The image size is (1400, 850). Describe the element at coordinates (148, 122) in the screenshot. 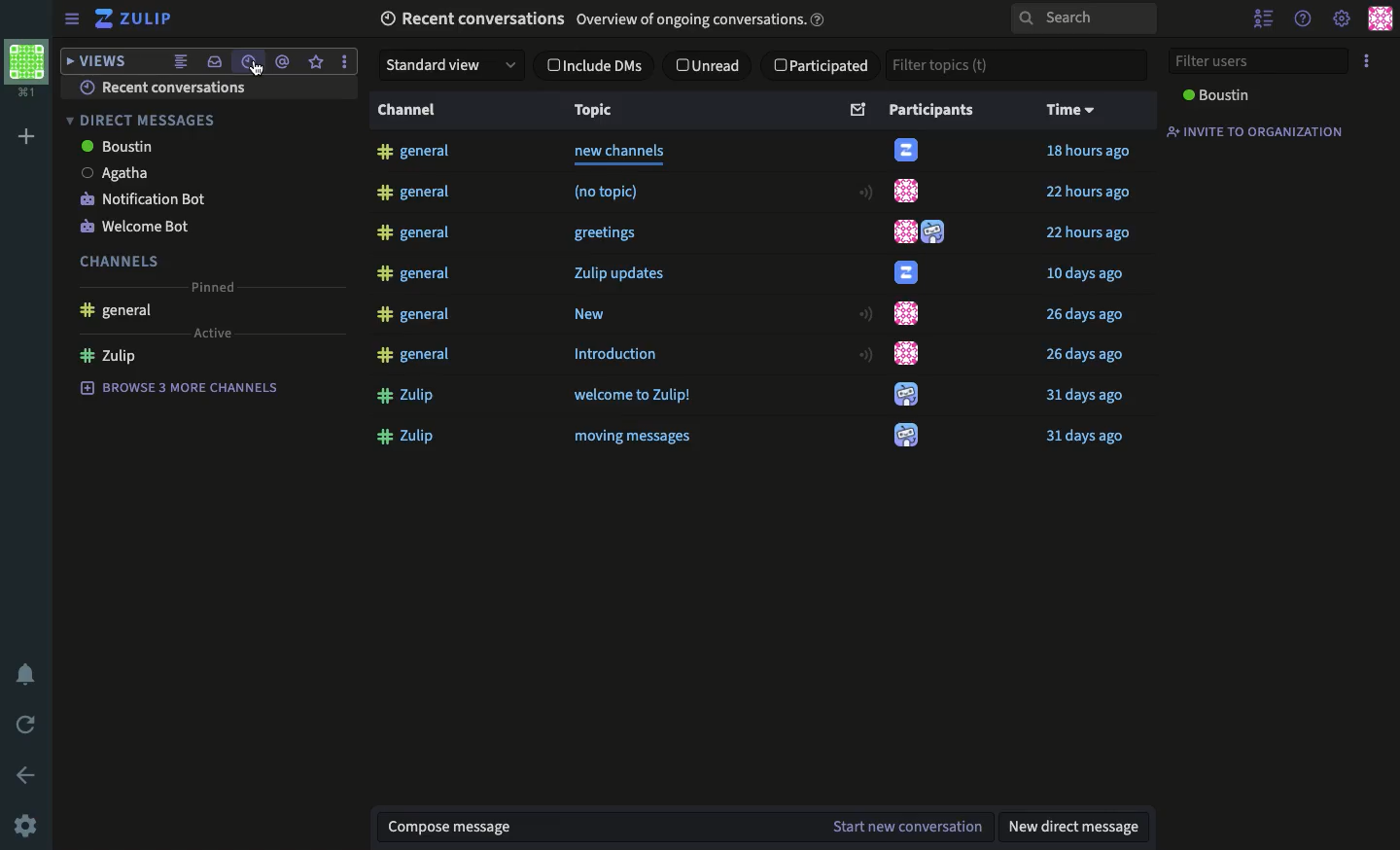

I see `direct messages` at that location.